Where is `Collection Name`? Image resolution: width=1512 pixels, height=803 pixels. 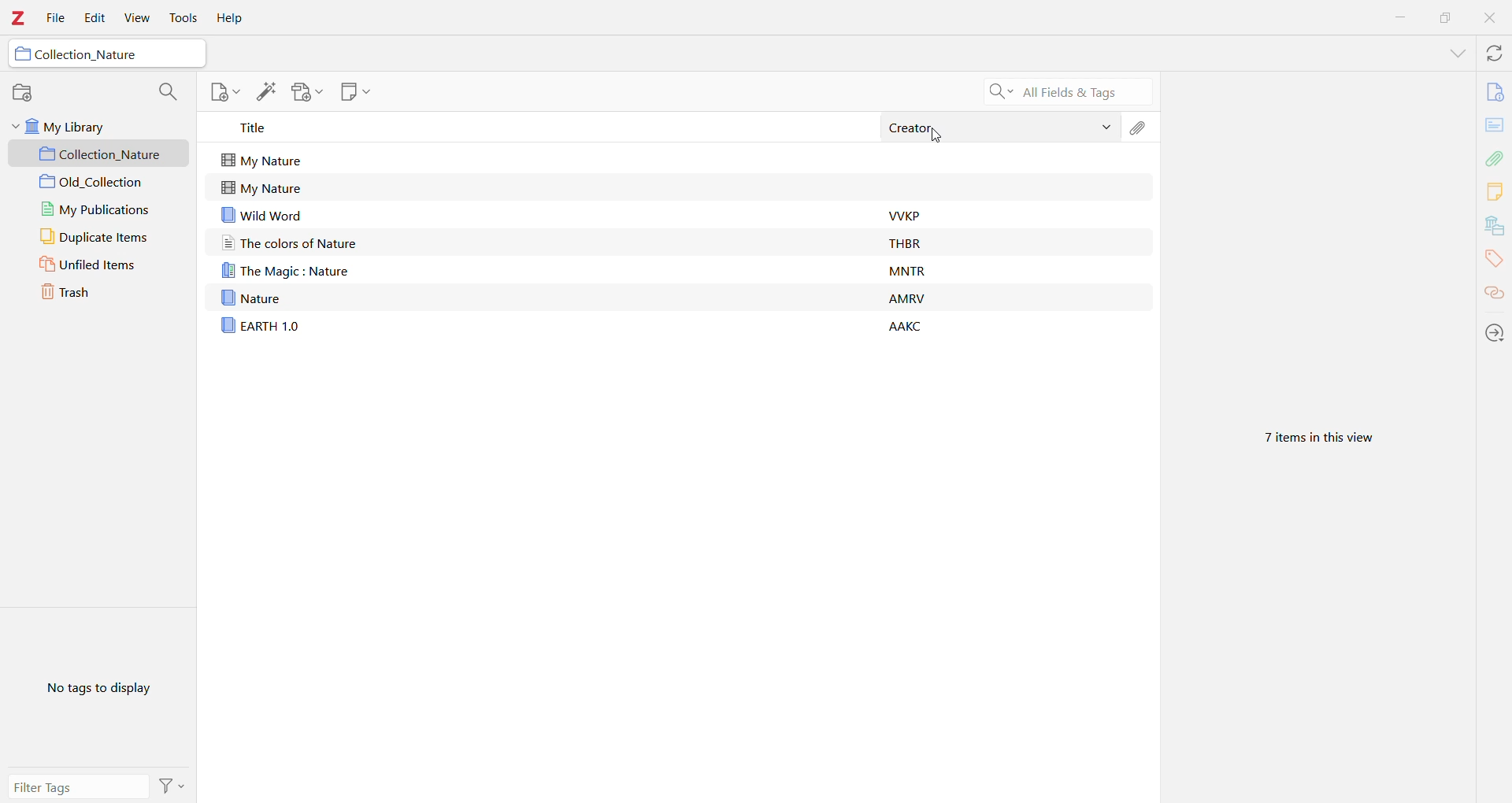
Collection Name is located at coordinates (108, 54).